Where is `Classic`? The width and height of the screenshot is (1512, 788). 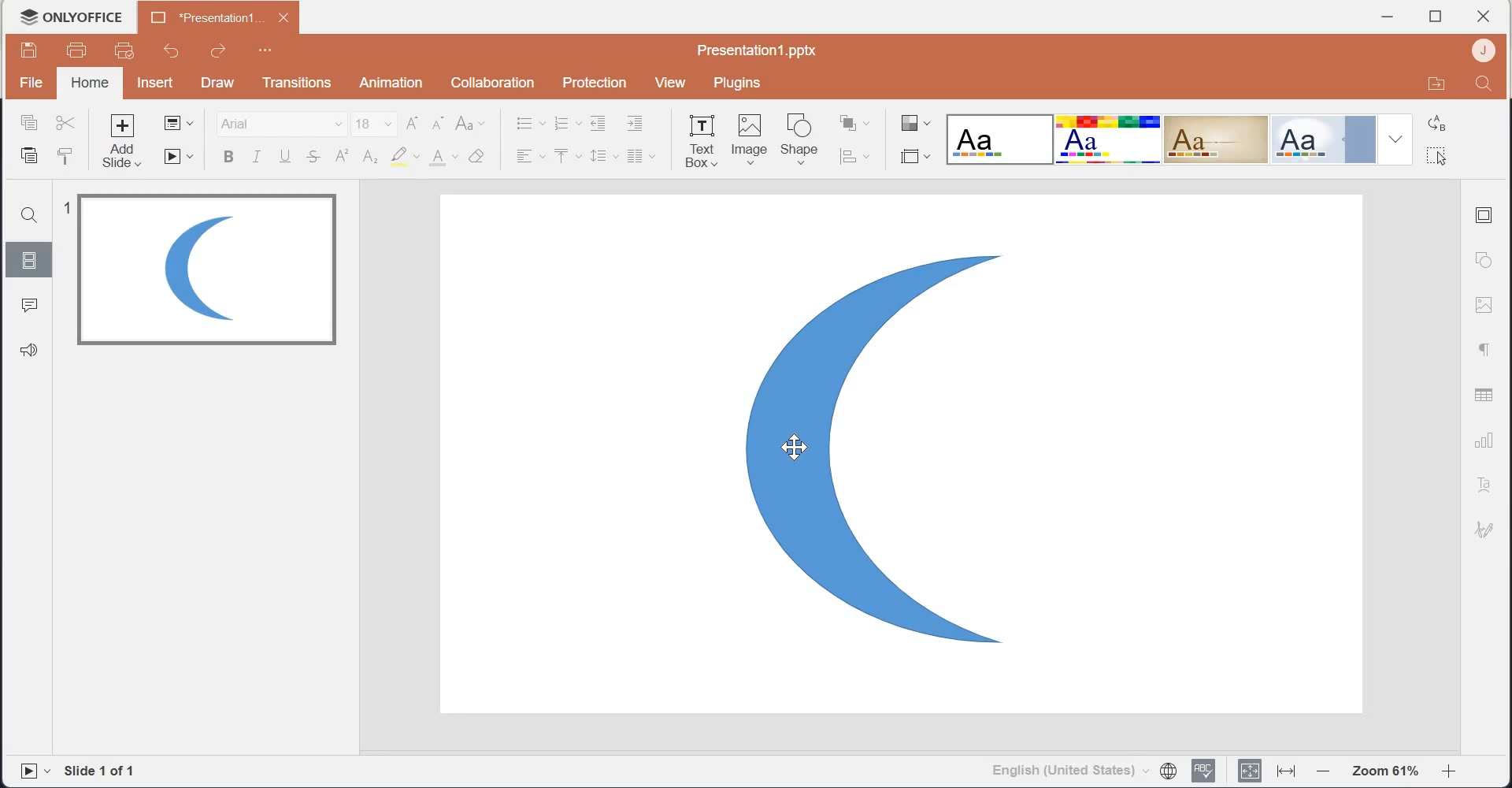
Classic is located at coordinates (1217, 139).